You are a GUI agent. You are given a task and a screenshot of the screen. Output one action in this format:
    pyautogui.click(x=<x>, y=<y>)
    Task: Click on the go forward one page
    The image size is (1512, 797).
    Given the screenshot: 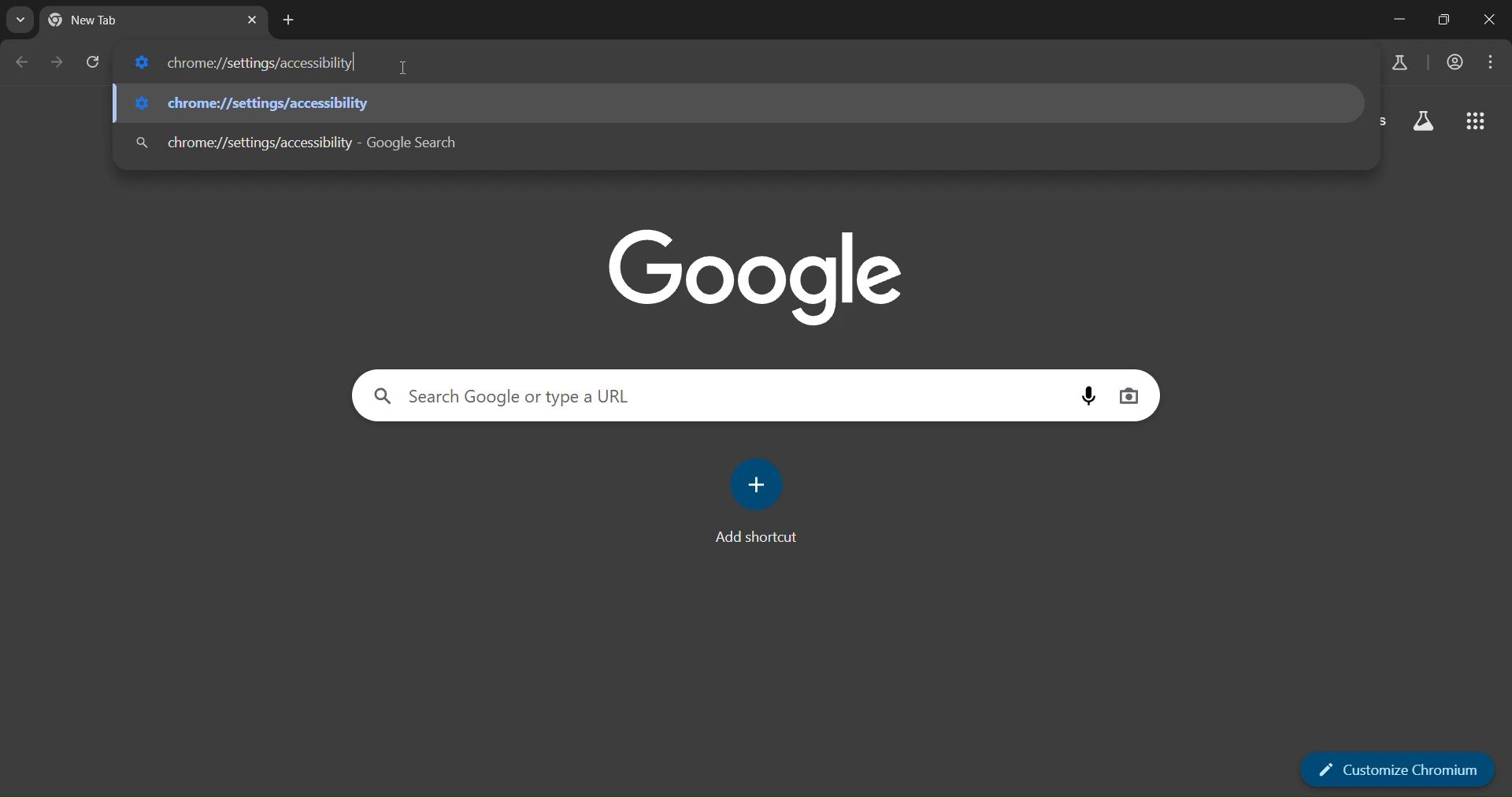 What is the action you would take?
    pyautogui.click(x=56, y=62)
    